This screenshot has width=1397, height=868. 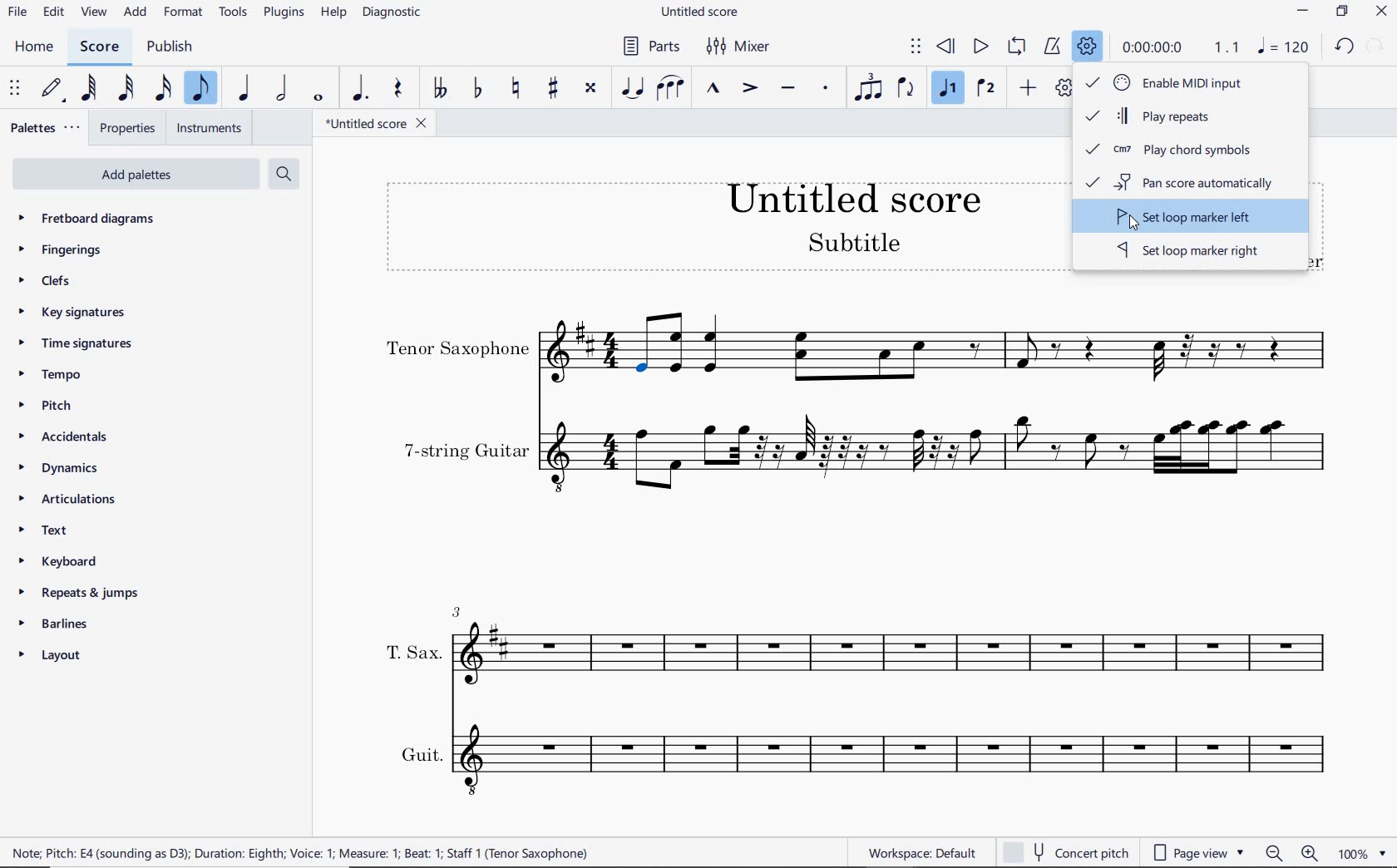 What do you see at coordinates (1134, 229) in the screenshot?
I see `cursor` at bounding box center [1134, 229].